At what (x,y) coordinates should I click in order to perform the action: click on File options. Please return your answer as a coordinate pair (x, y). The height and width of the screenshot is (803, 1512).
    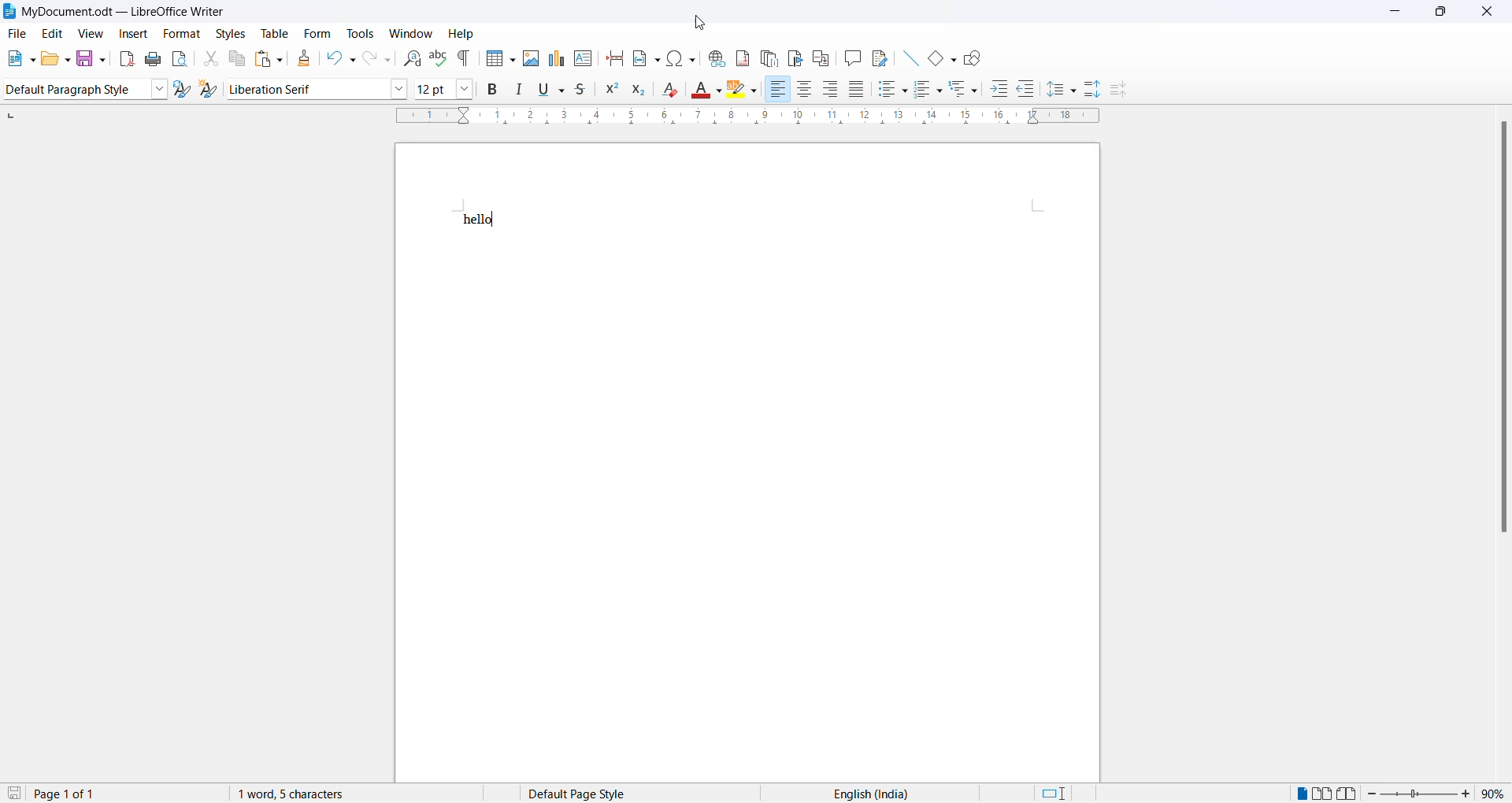
    Looking at the image, I should click on (20, 58).